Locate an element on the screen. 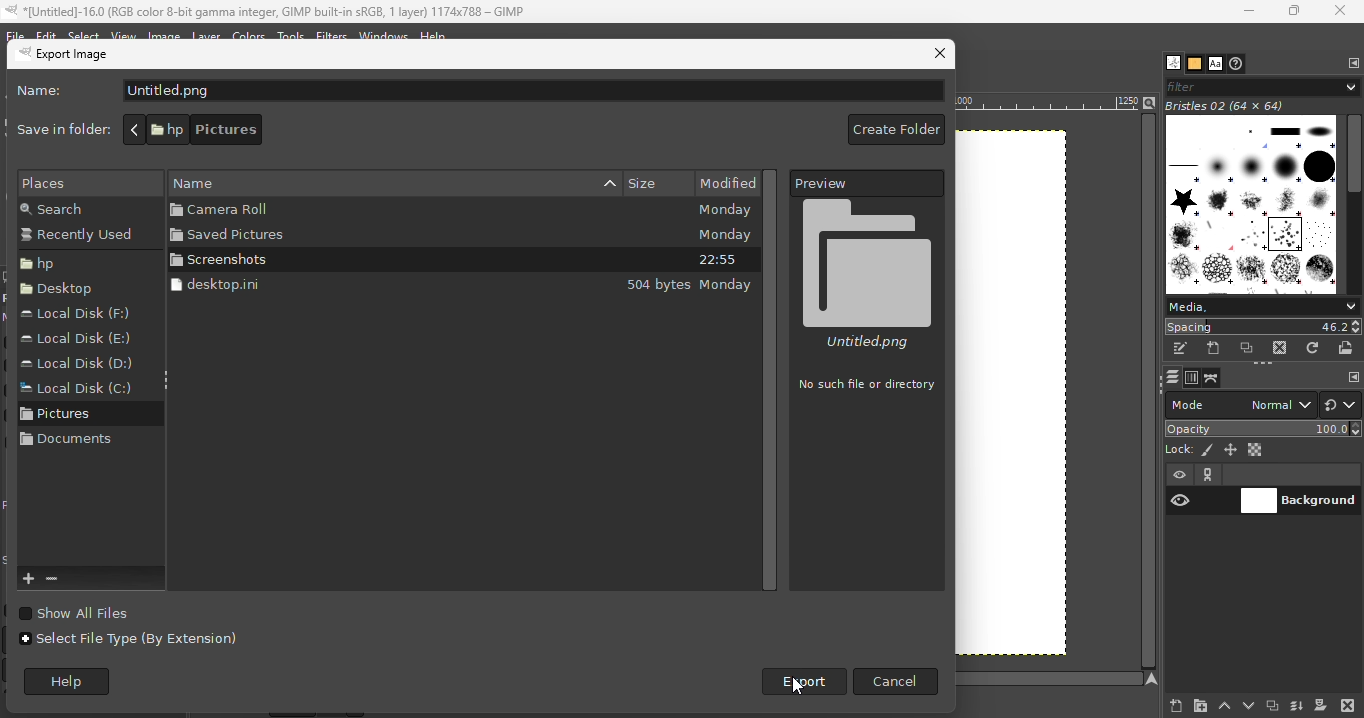 The height and width of the screenshot is (718, 1364). Saved pictures folder is located at coordinates (353, 235).